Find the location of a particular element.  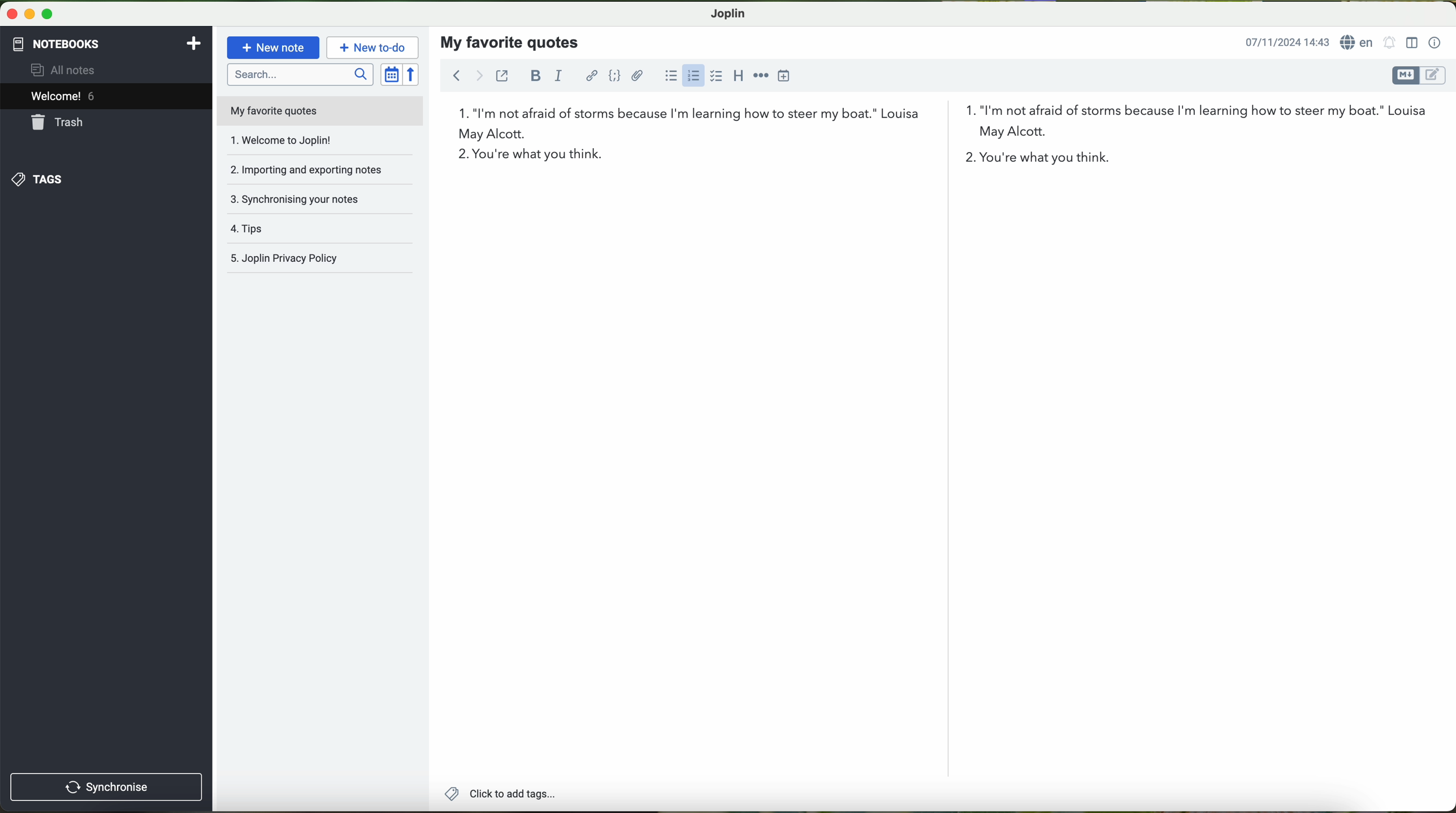

toggle editor layout is located at coordinates (1411, 43).